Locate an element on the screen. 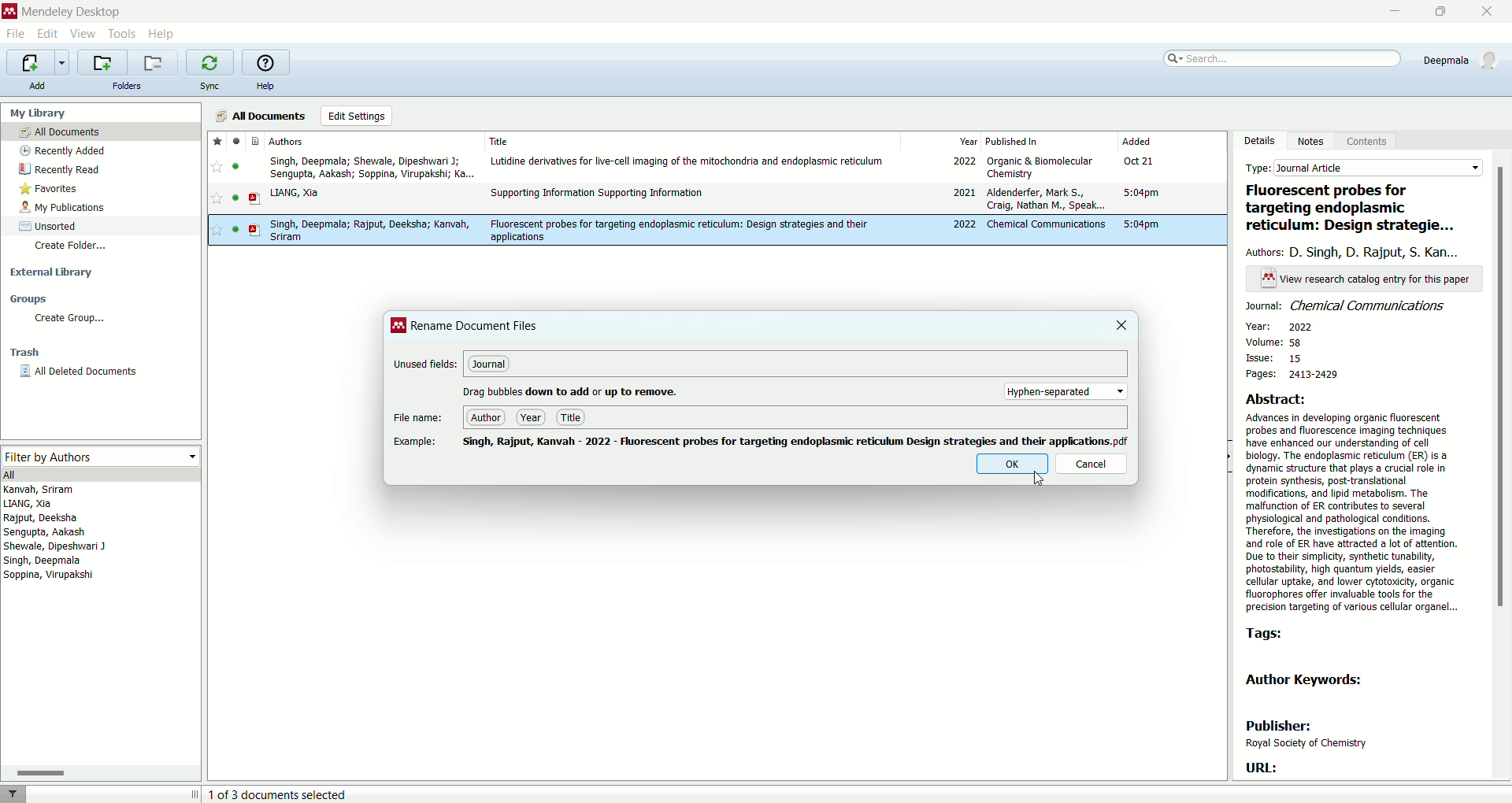 Image resolution: width=1512 pixels, height=803 pixels. journal is located at coordinates (490, 366).